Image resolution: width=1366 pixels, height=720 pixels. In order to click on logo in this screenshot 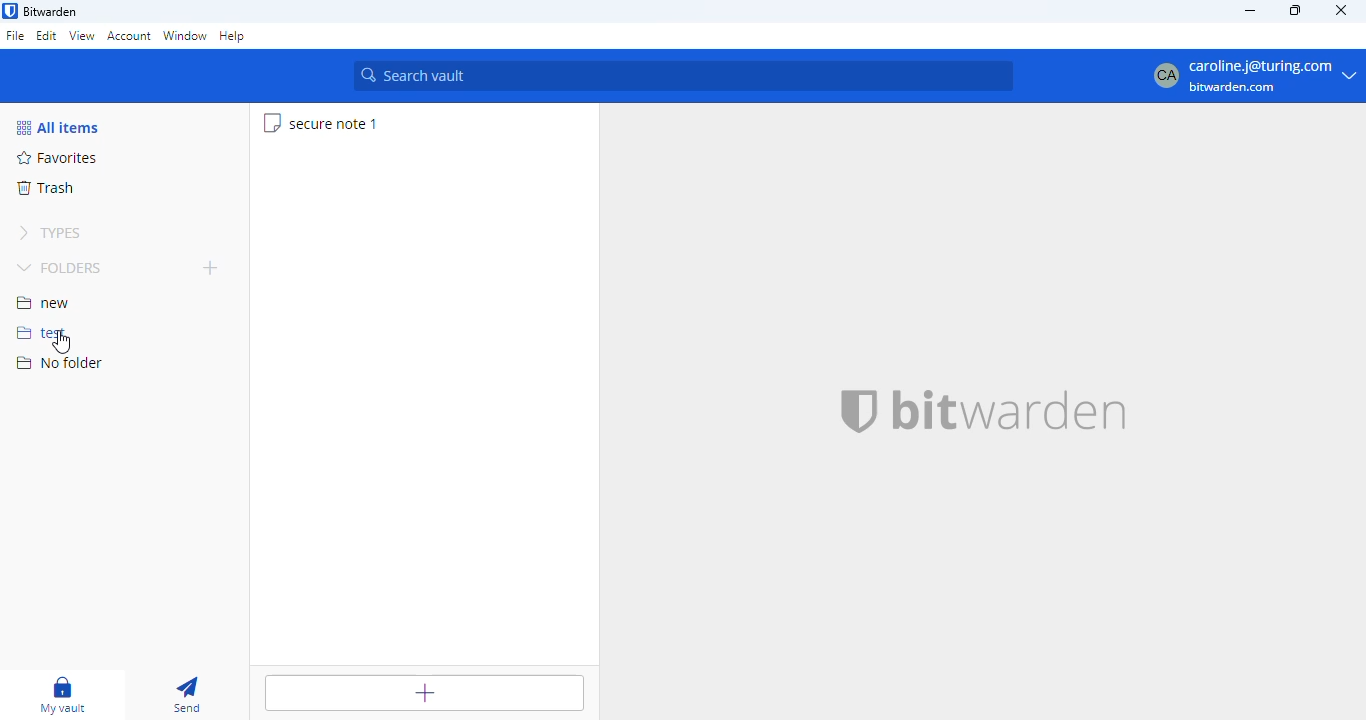, I will do `click(10, 11)`.